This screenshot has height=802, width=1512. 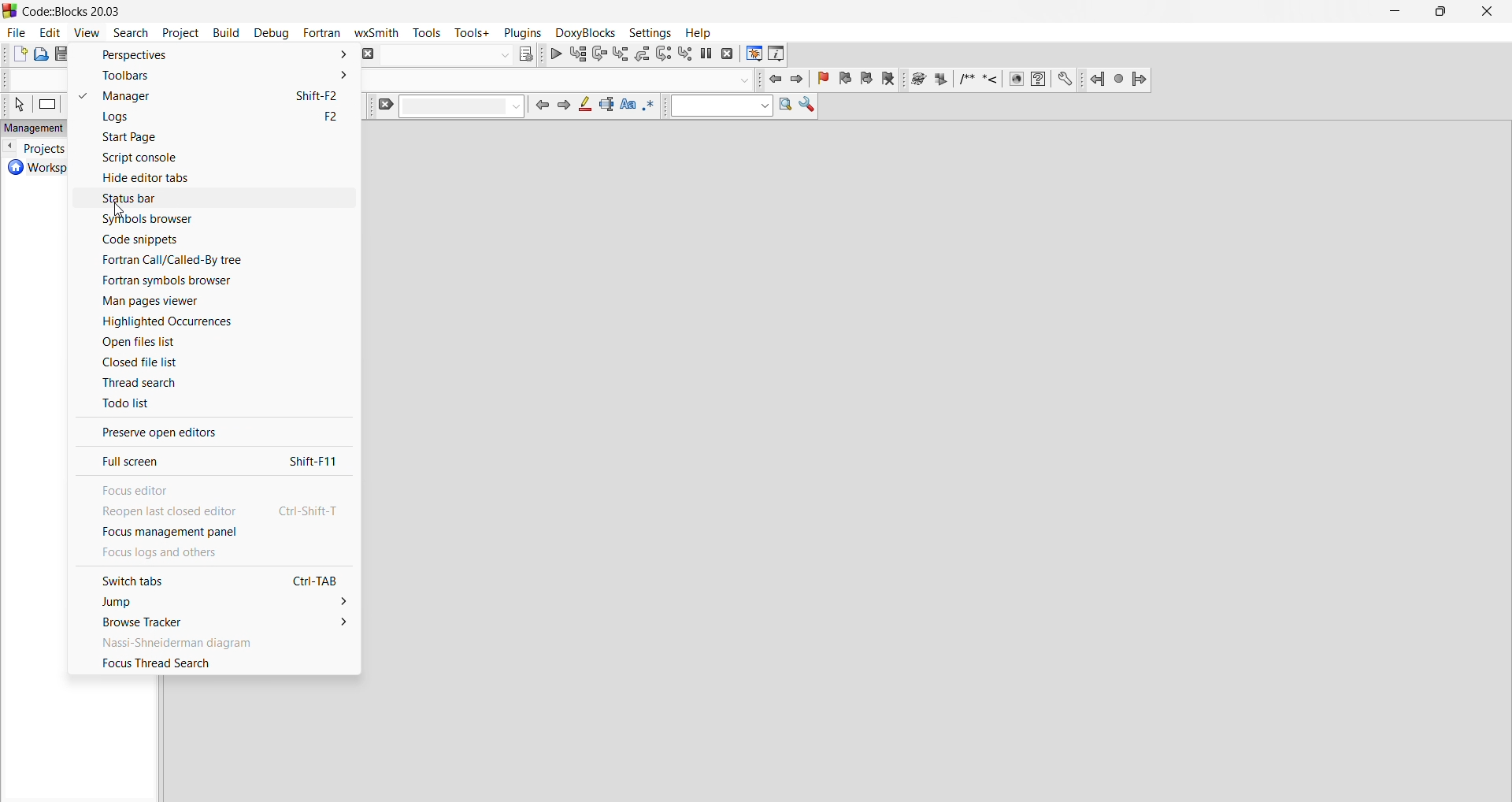 What do you see at coordinates (215, 404) in the screenshot?
I see `todo list` at bounding box center [215, 404].